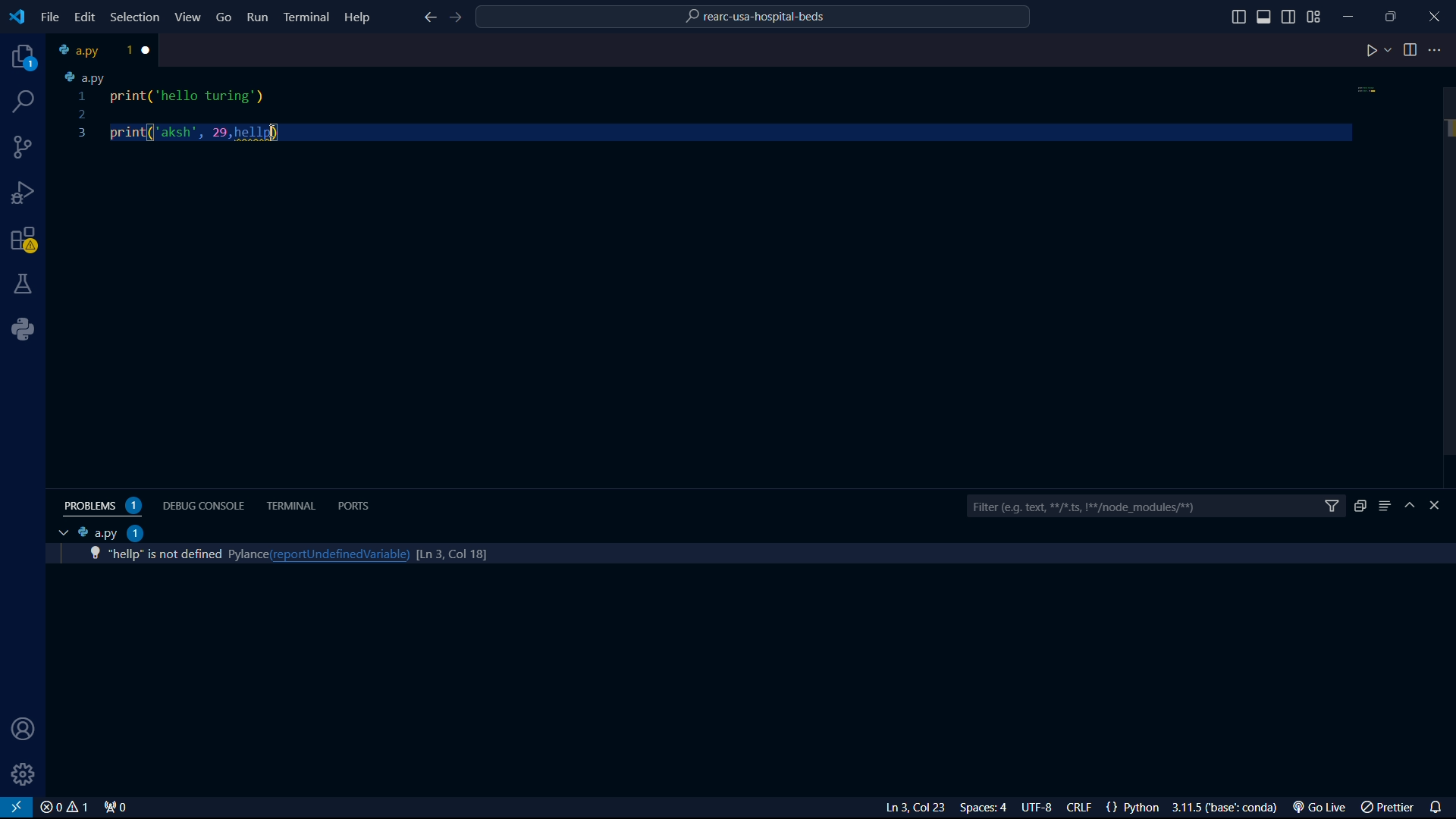  What do you see at coordinates (897, 808) in the screenshot?
I see `Ln 3 Col 23` at bounding box center [897, 808].